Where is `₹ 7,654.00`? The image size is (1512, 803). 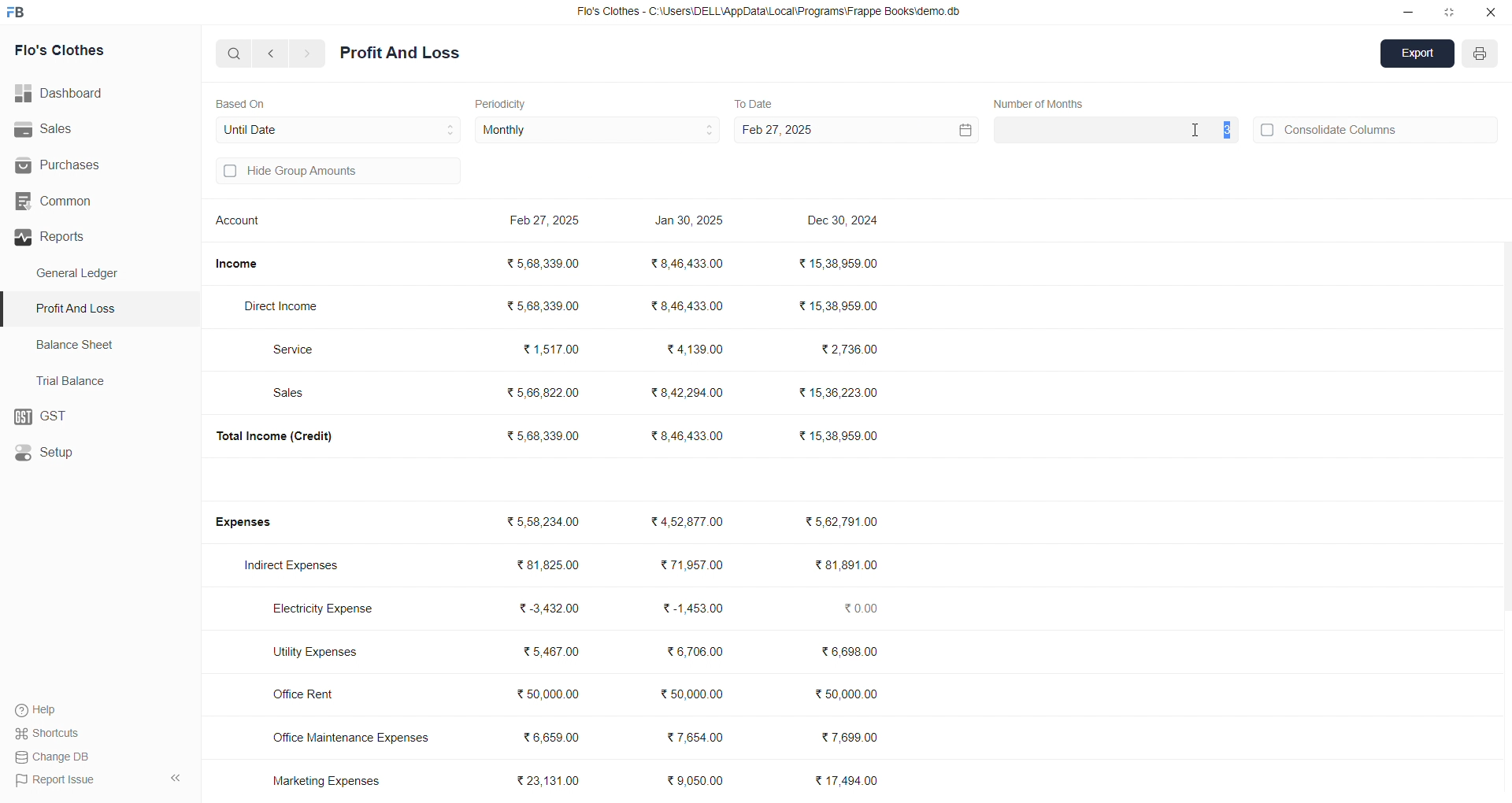 ₹ 7,654.00 is located at coordinates (695, 736).